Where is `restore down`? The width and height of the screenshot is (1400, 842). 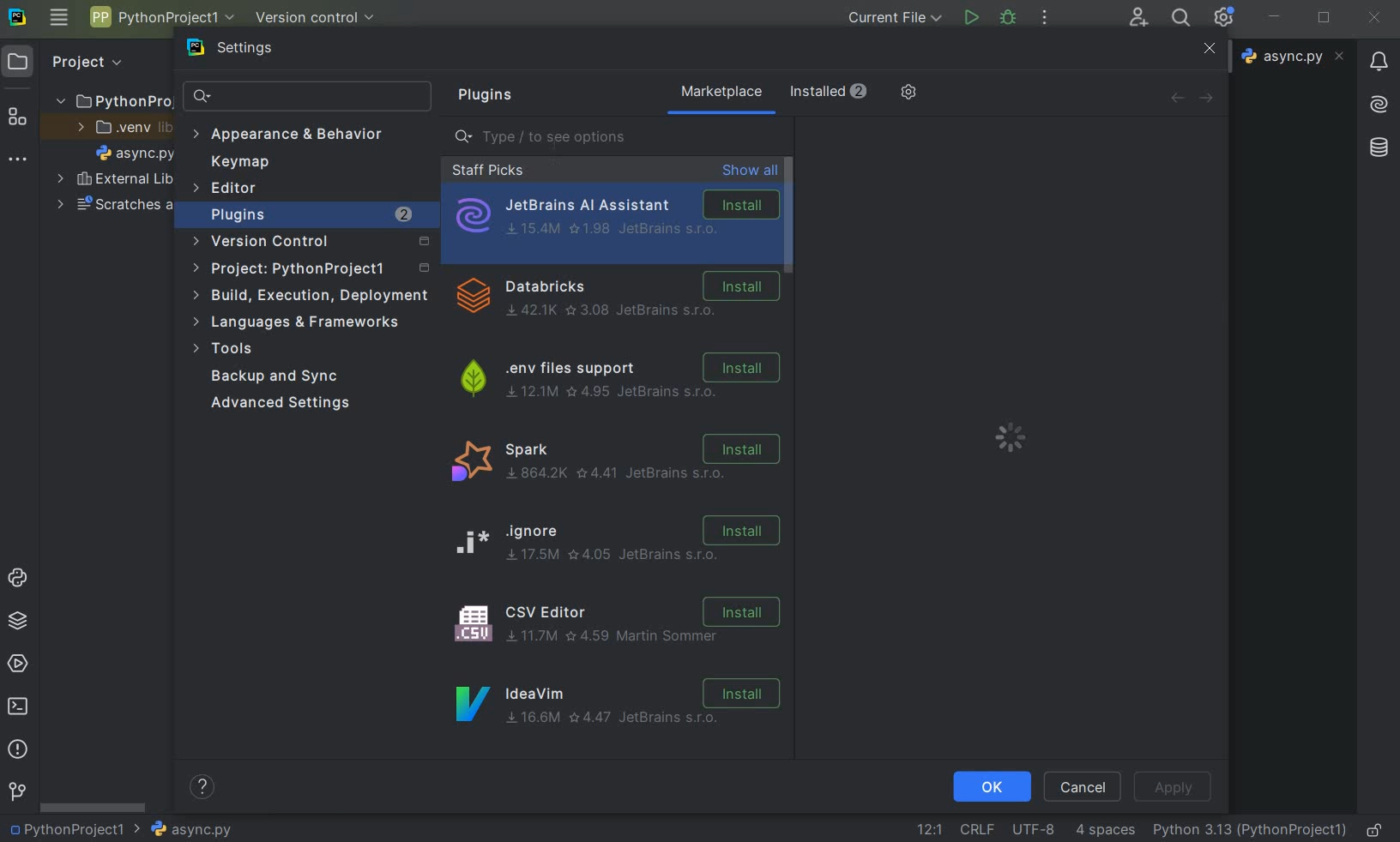 restore down is located at coordinates (1325, 19).